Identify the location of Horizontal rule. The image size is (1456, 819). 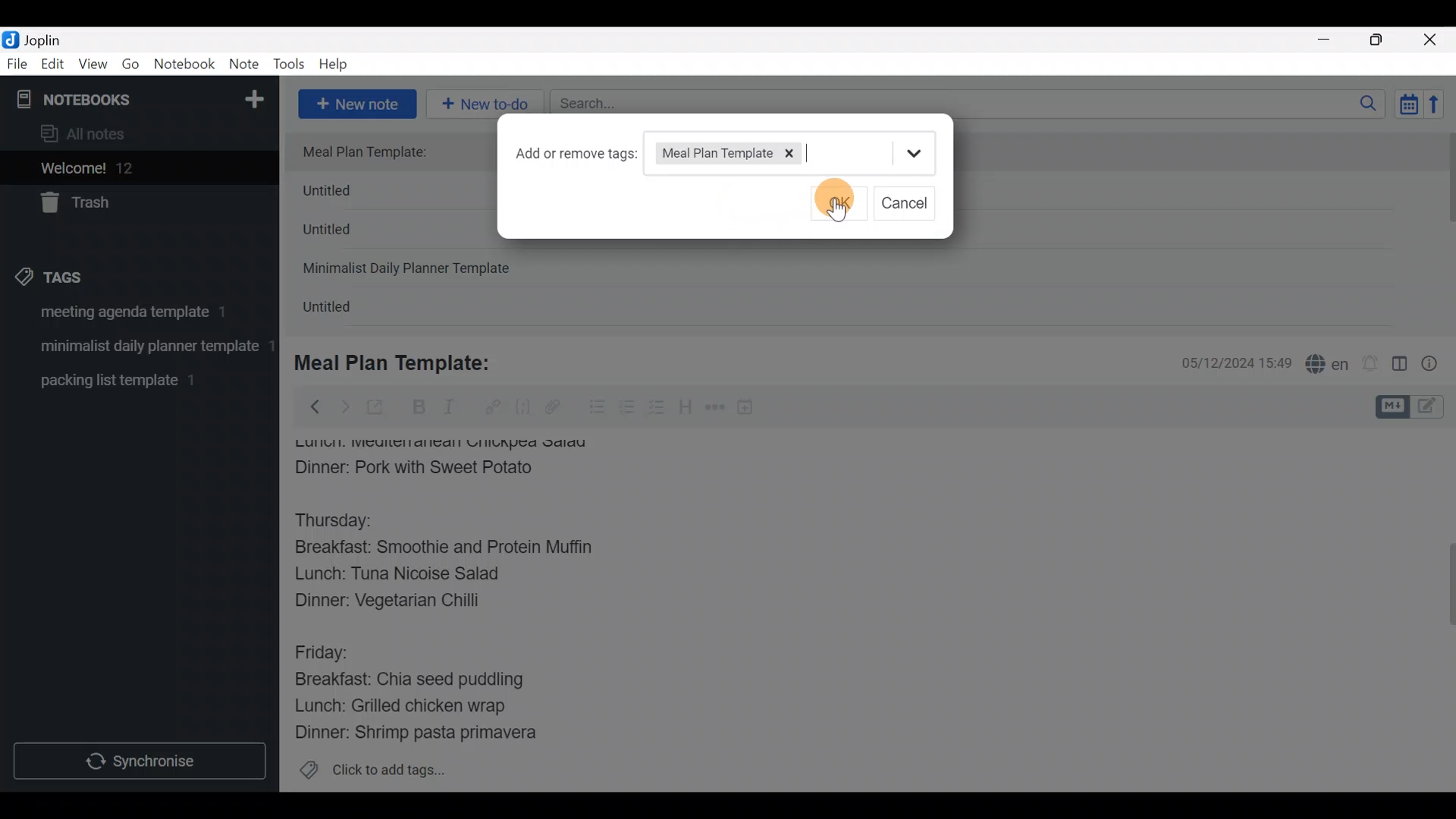
(715, 409).